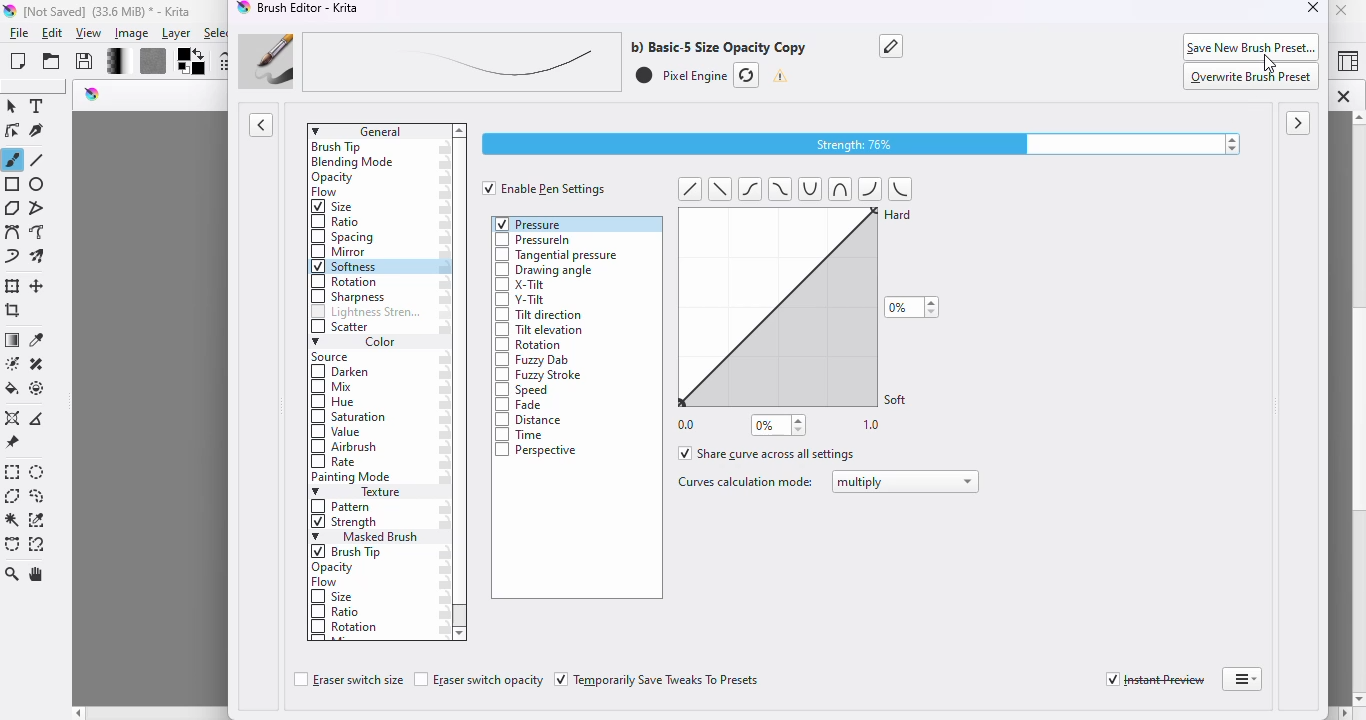 The height and width of the screenshot is (720, 1366). What do you see at coordinates (873, 426) in the screenshot?
I see `1.0` at bounding box center [873, 426].